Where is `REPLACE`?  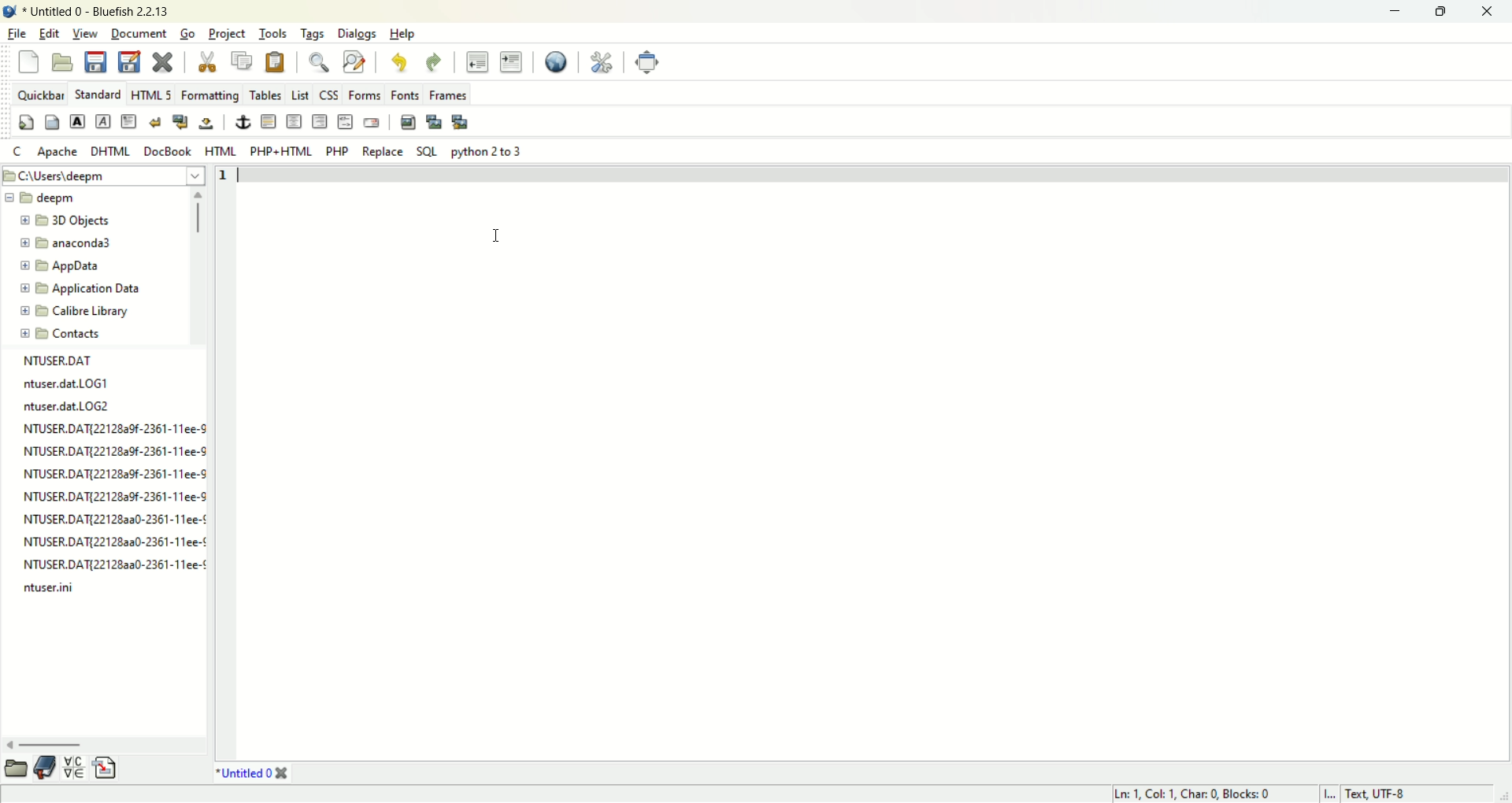
REPLACE is located at coordinates (382, 152).